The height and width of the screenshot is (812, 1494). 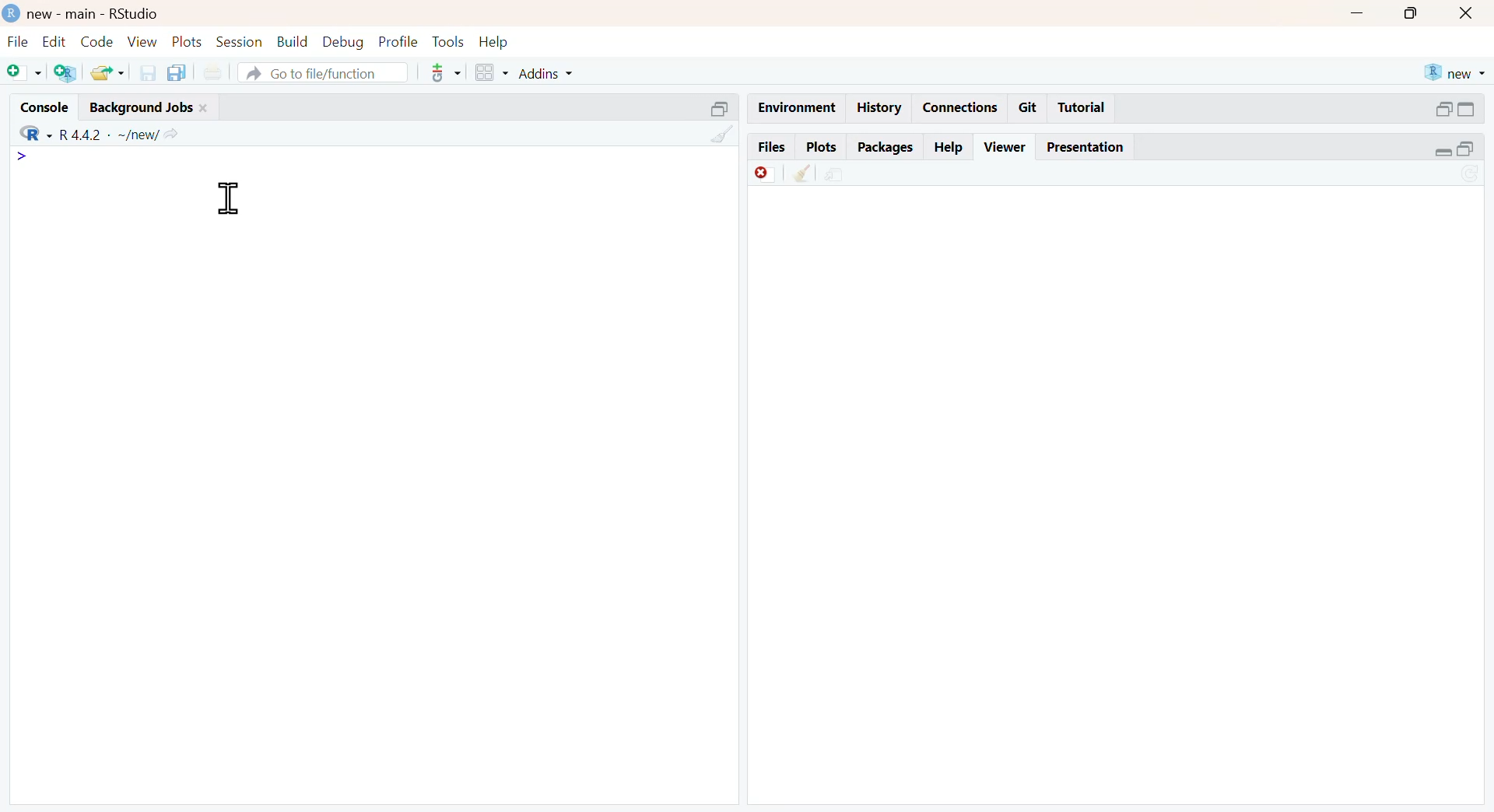 I want to click on enviornment, so click(x=798, y=107).